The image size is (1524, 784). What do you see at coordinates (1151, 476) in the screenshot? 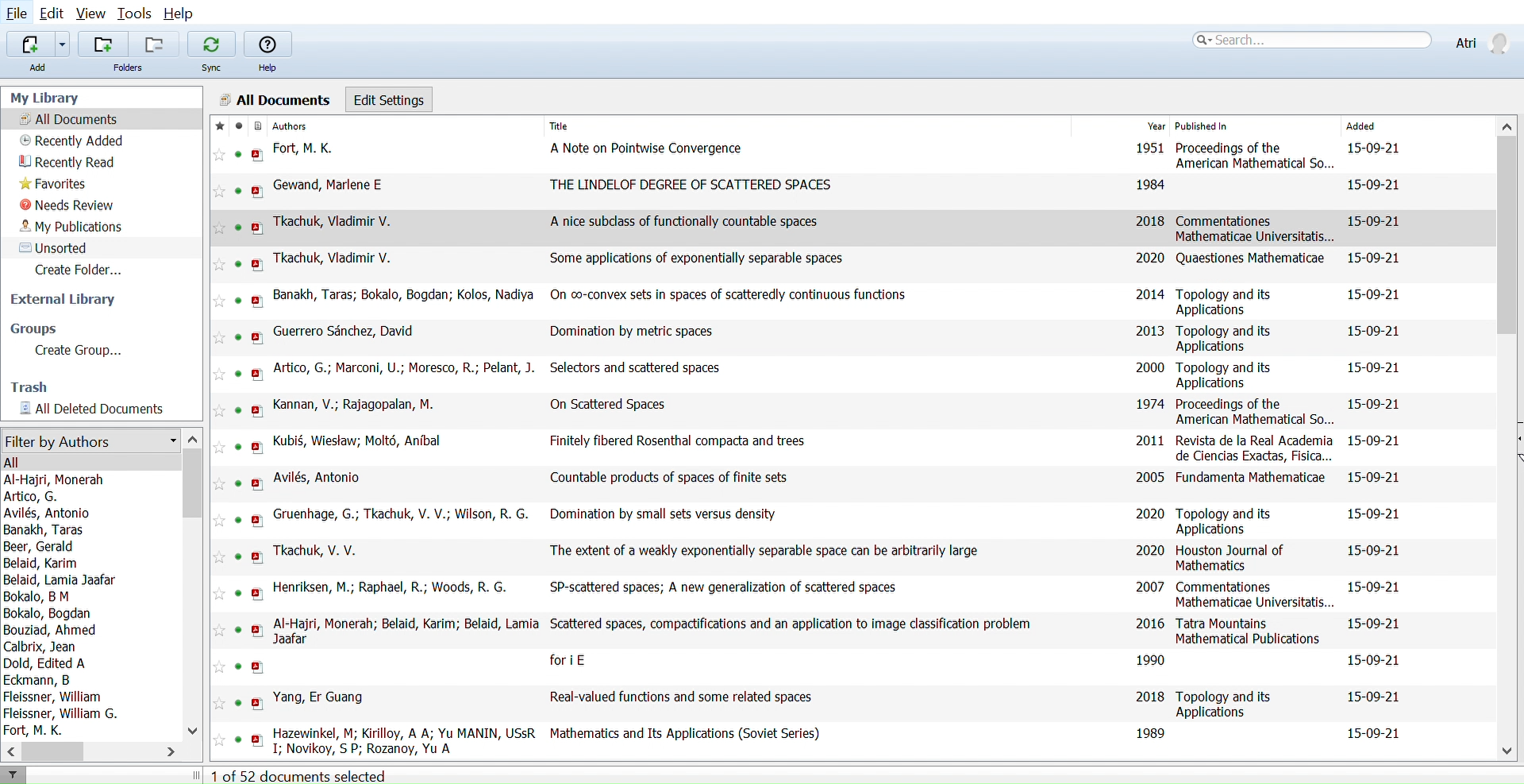
I see `2005` at bounding box center [1151, 476].